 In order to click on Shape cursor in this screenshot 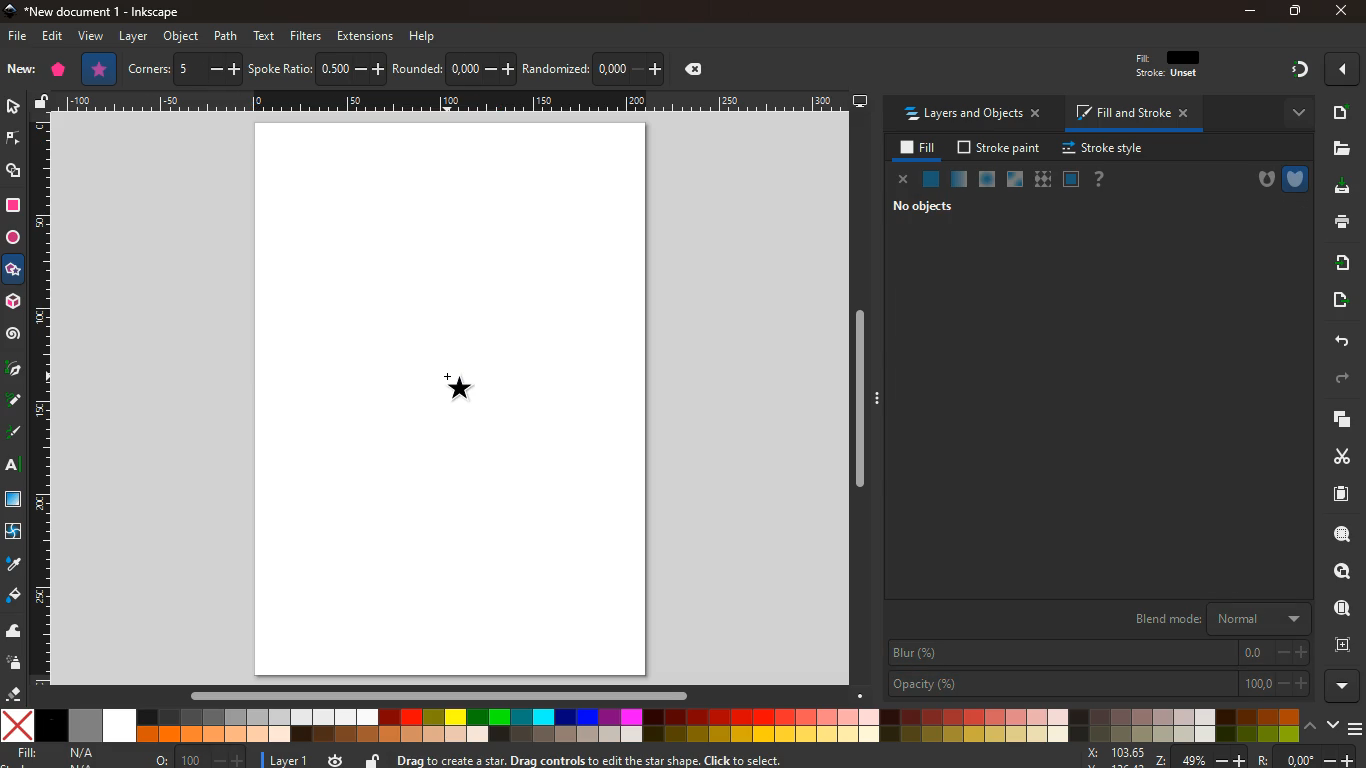, I will do `click(456, 385)`.